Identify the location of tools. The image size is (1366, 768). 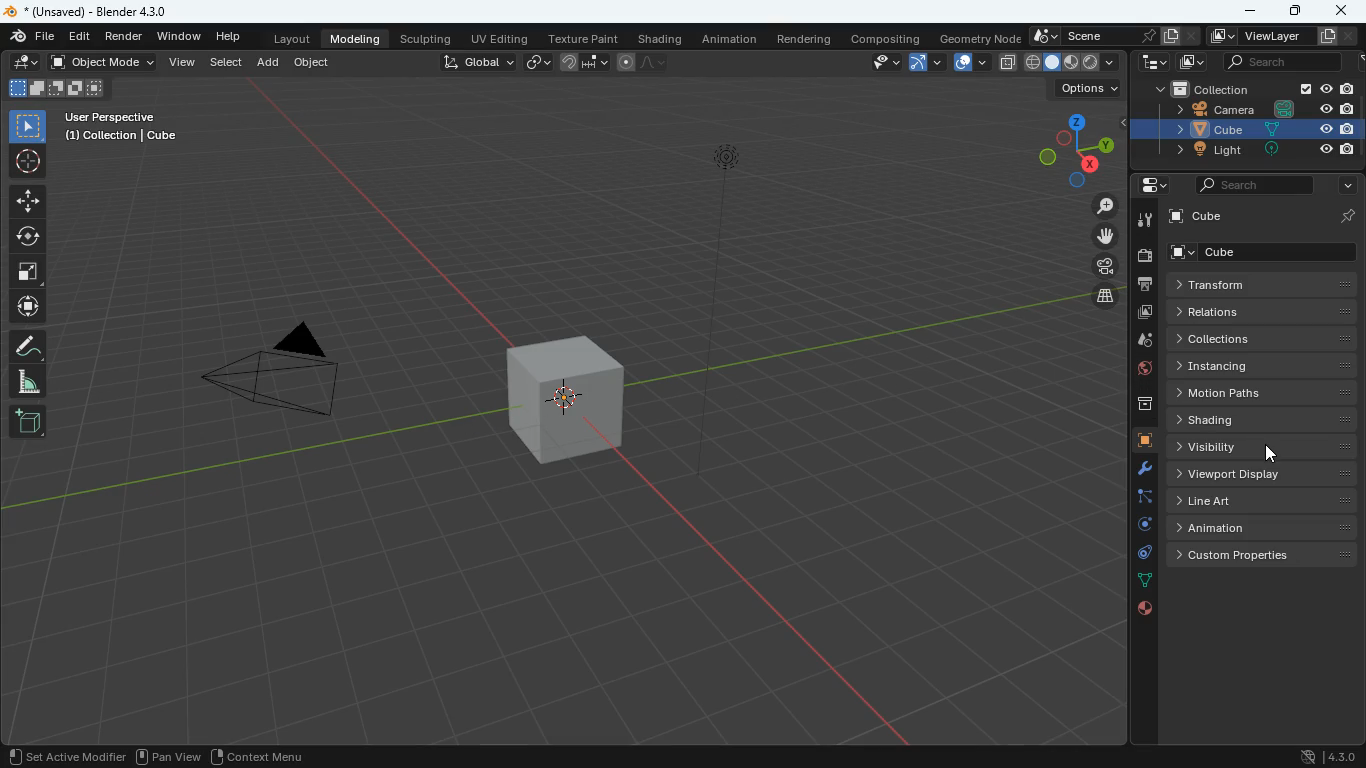
(1137, 470).